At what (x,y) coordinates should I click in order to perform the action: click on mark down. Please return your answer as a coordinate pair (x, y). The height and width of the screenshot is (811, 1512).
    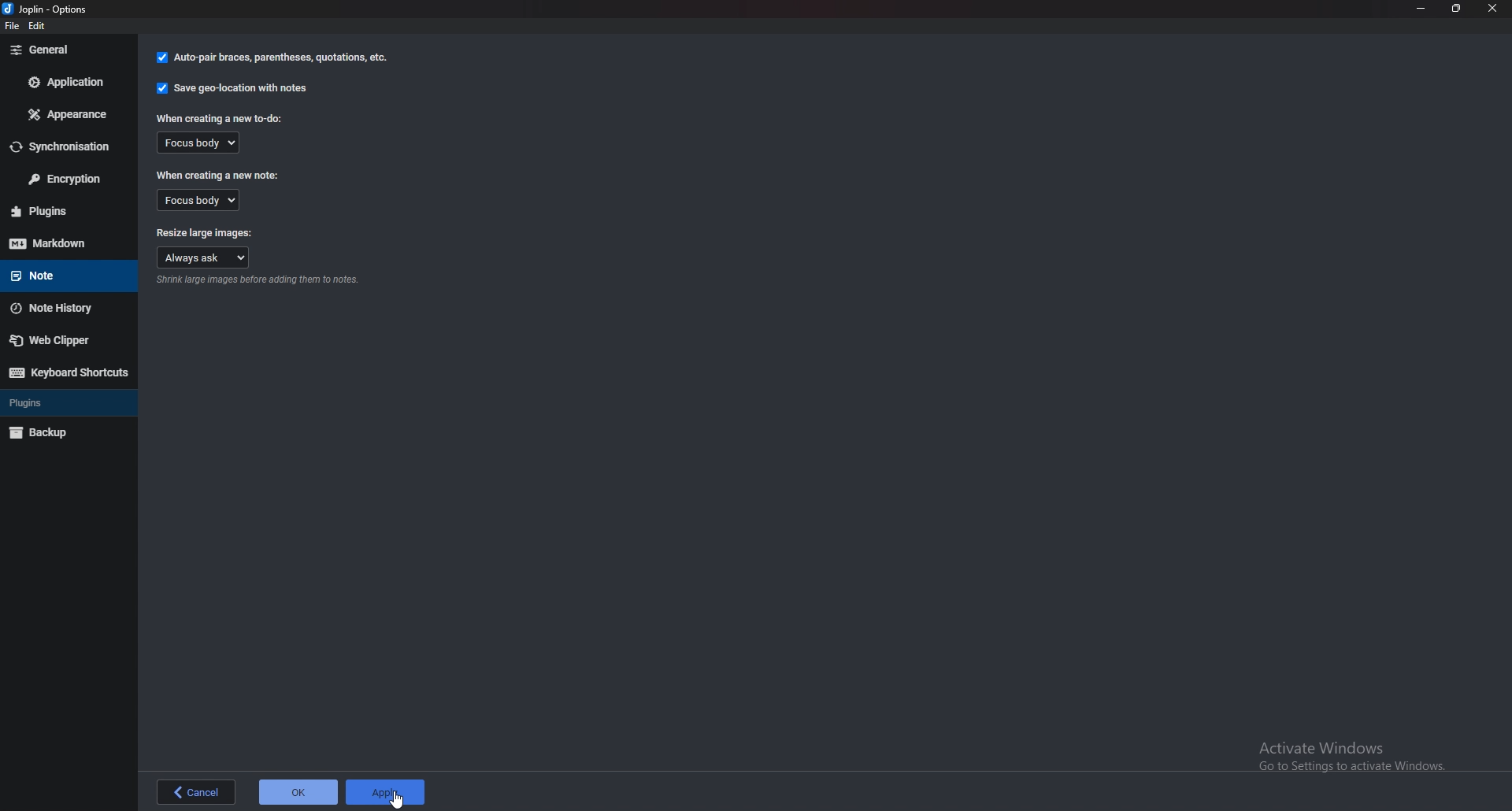
    Looking at the image, I should click on (65, 243).